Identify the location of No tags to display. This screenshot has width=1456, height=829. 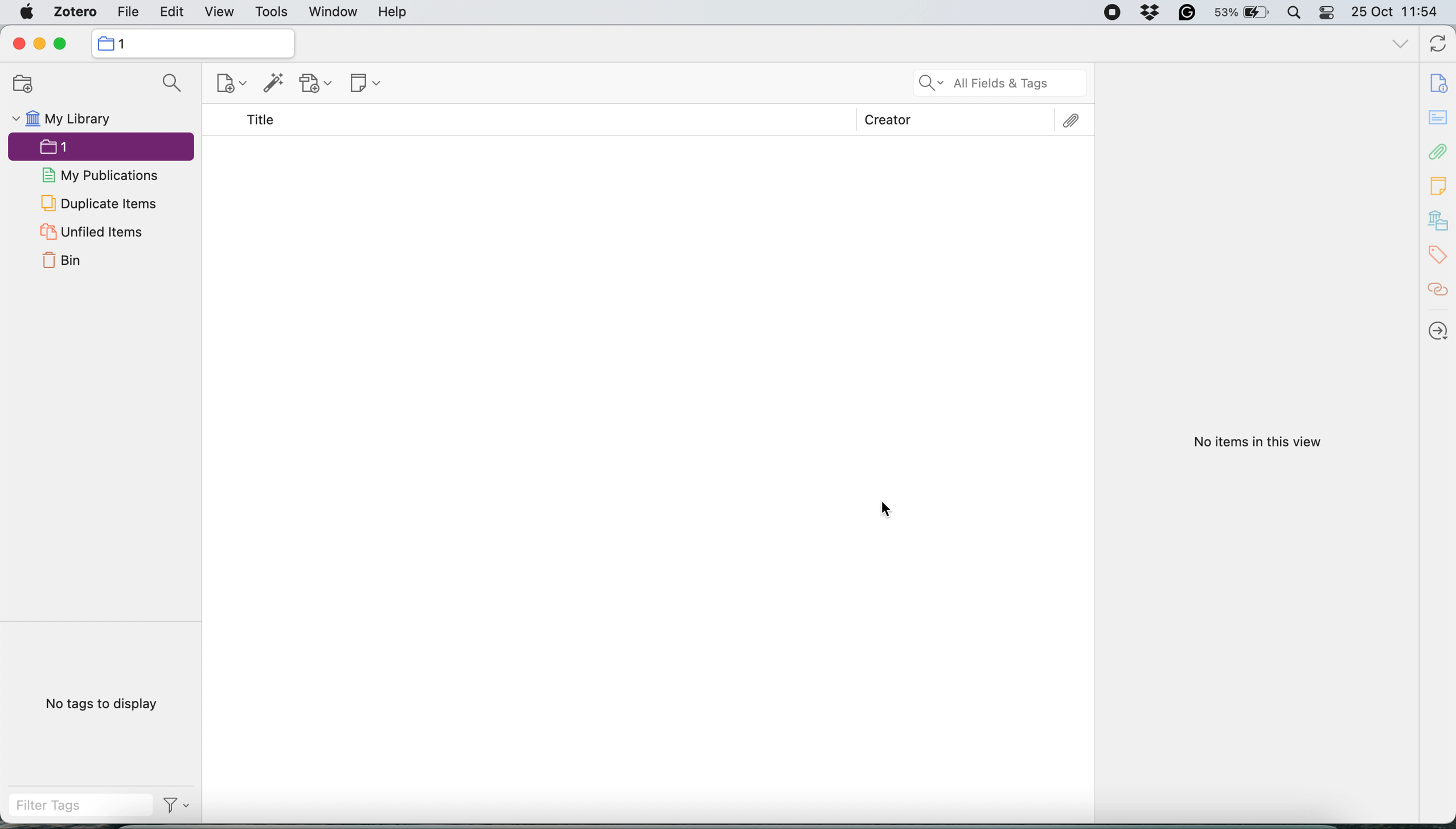
(105, 705).